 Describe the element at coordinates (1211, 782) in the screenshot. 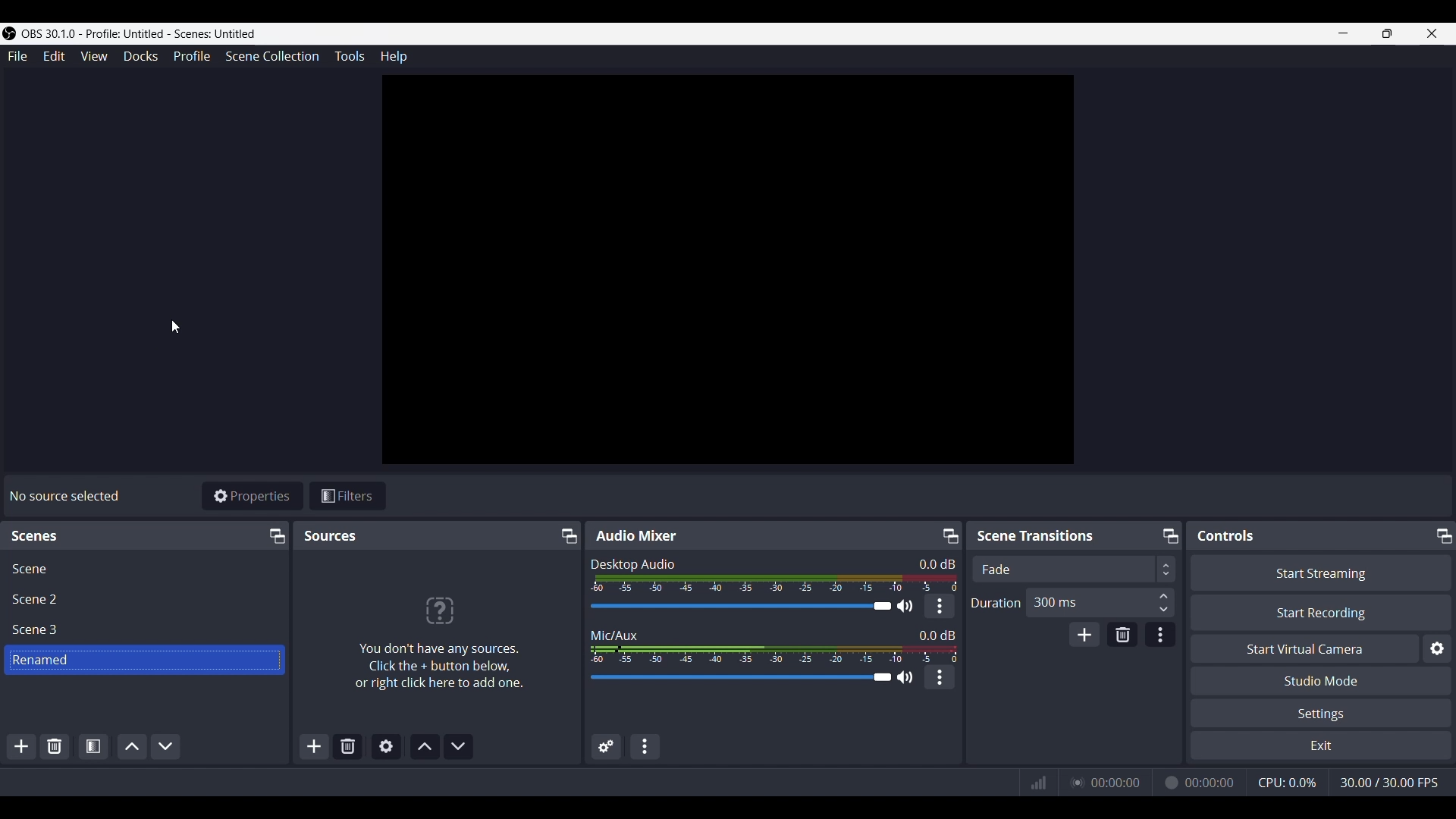

I see `Recording Timer` at that location.